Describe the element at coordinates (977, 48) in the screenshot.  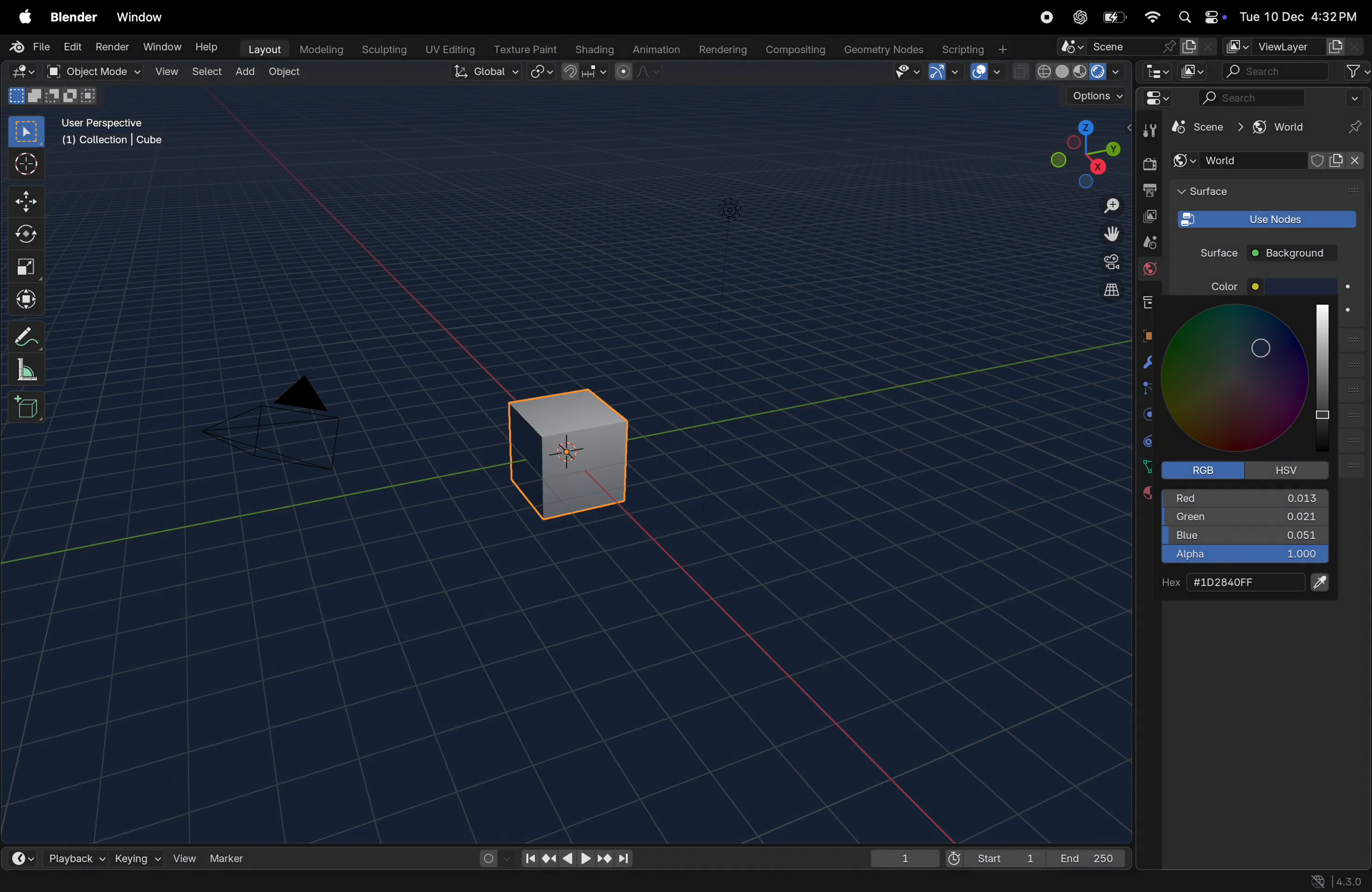
I see `scripting` at that location.